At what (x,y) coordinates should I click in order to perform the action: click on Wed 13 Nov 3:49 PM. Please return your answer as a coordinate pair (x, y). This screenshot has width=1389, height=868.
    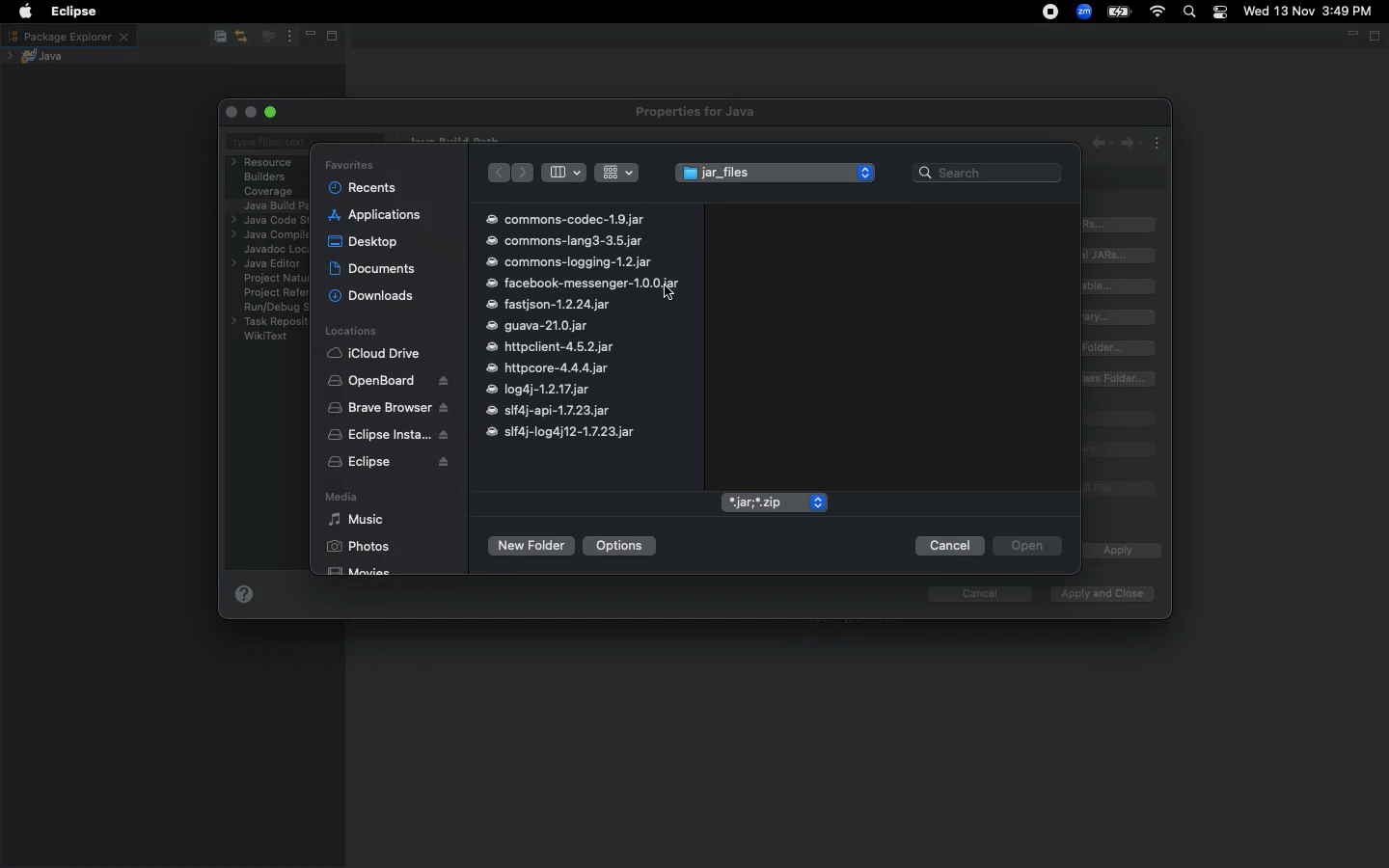
    Looking at the image, I should click on (1309, 10).